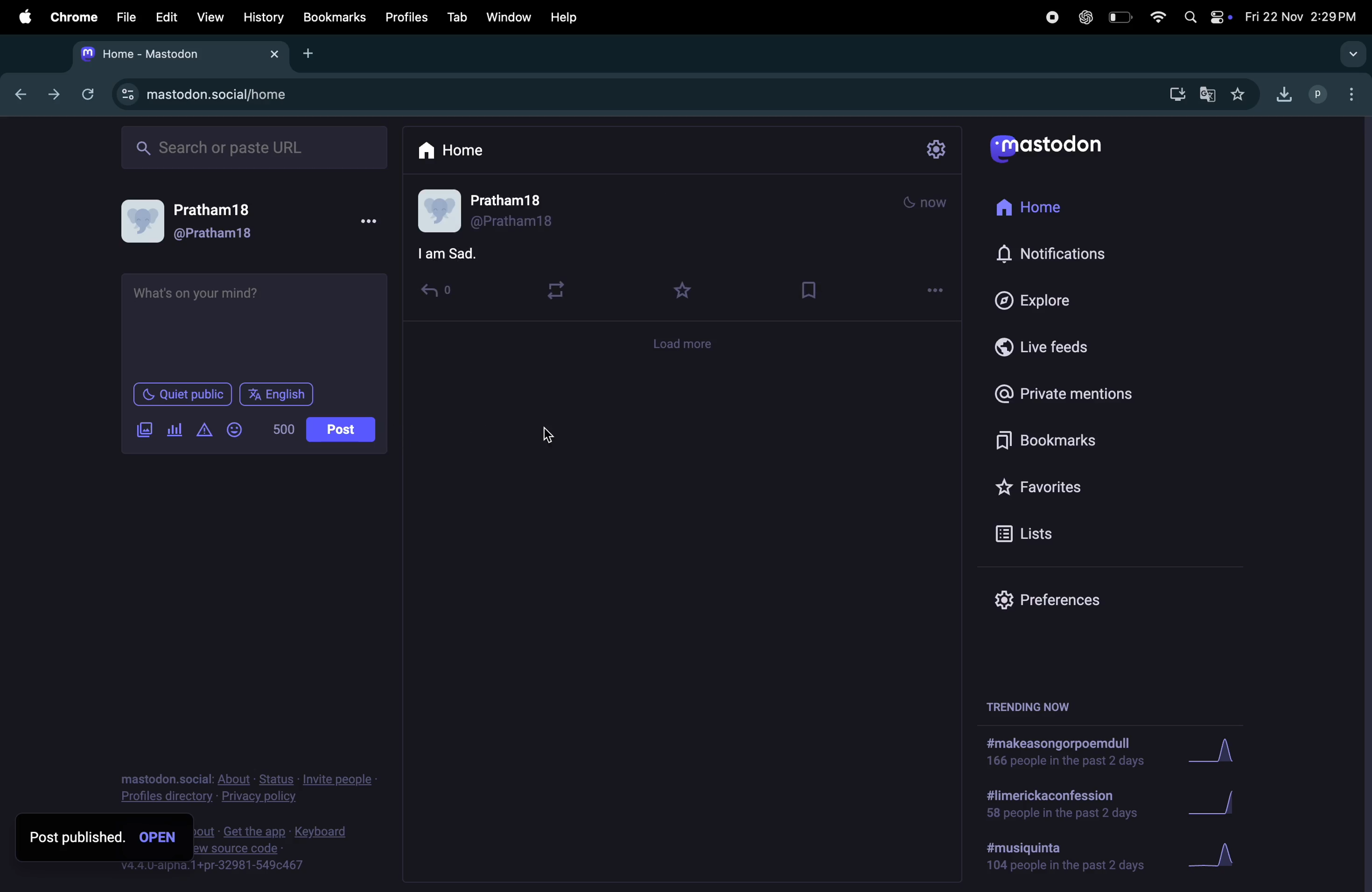 The height and width of the screenshot is (892, 1372). Describe the element at coordinates (1317, 95) in the screenshot. I see `profiles` at that location.